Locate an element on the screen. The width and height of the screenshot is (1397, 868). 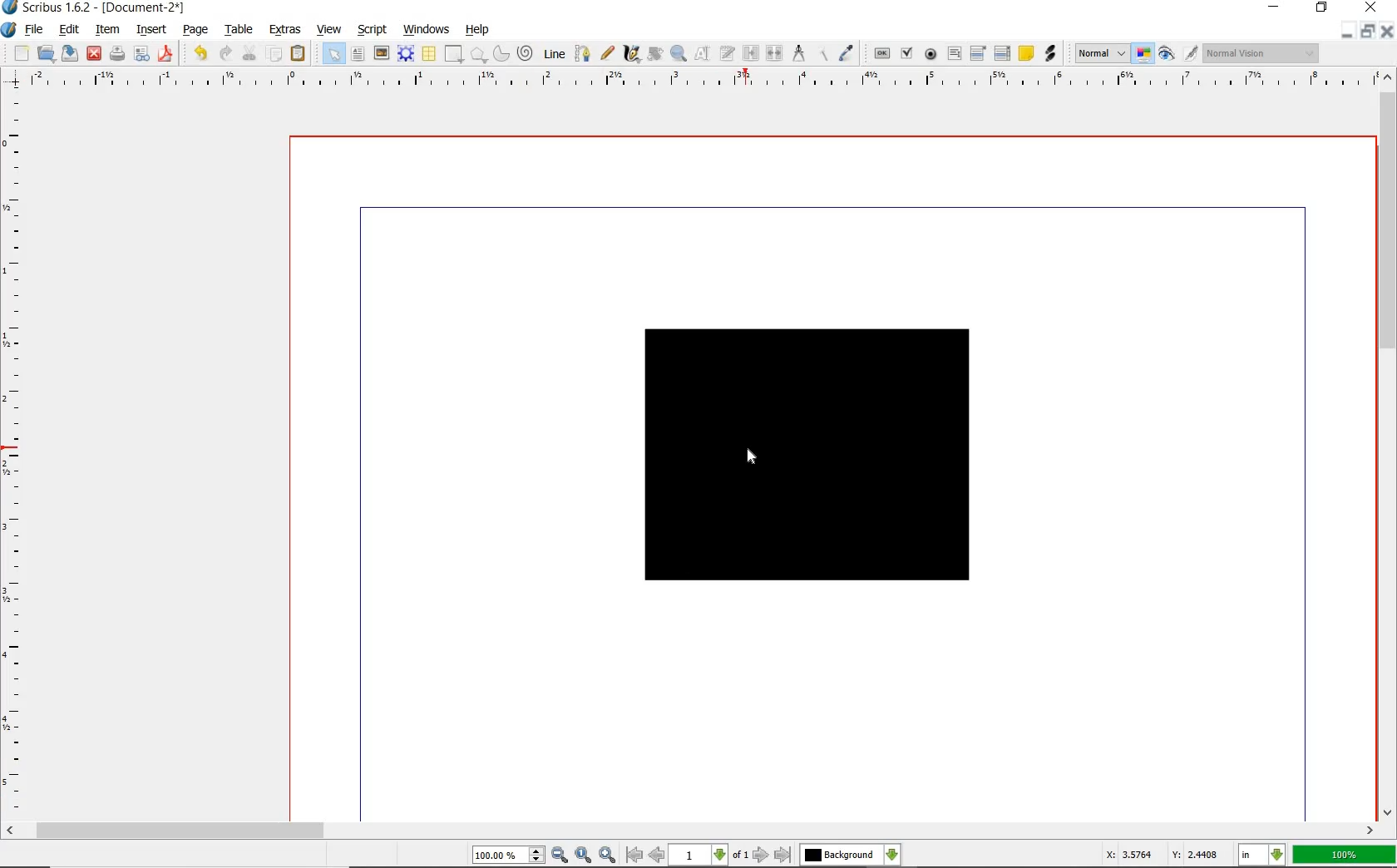
link annotation is located at coordinates (1050, 54).